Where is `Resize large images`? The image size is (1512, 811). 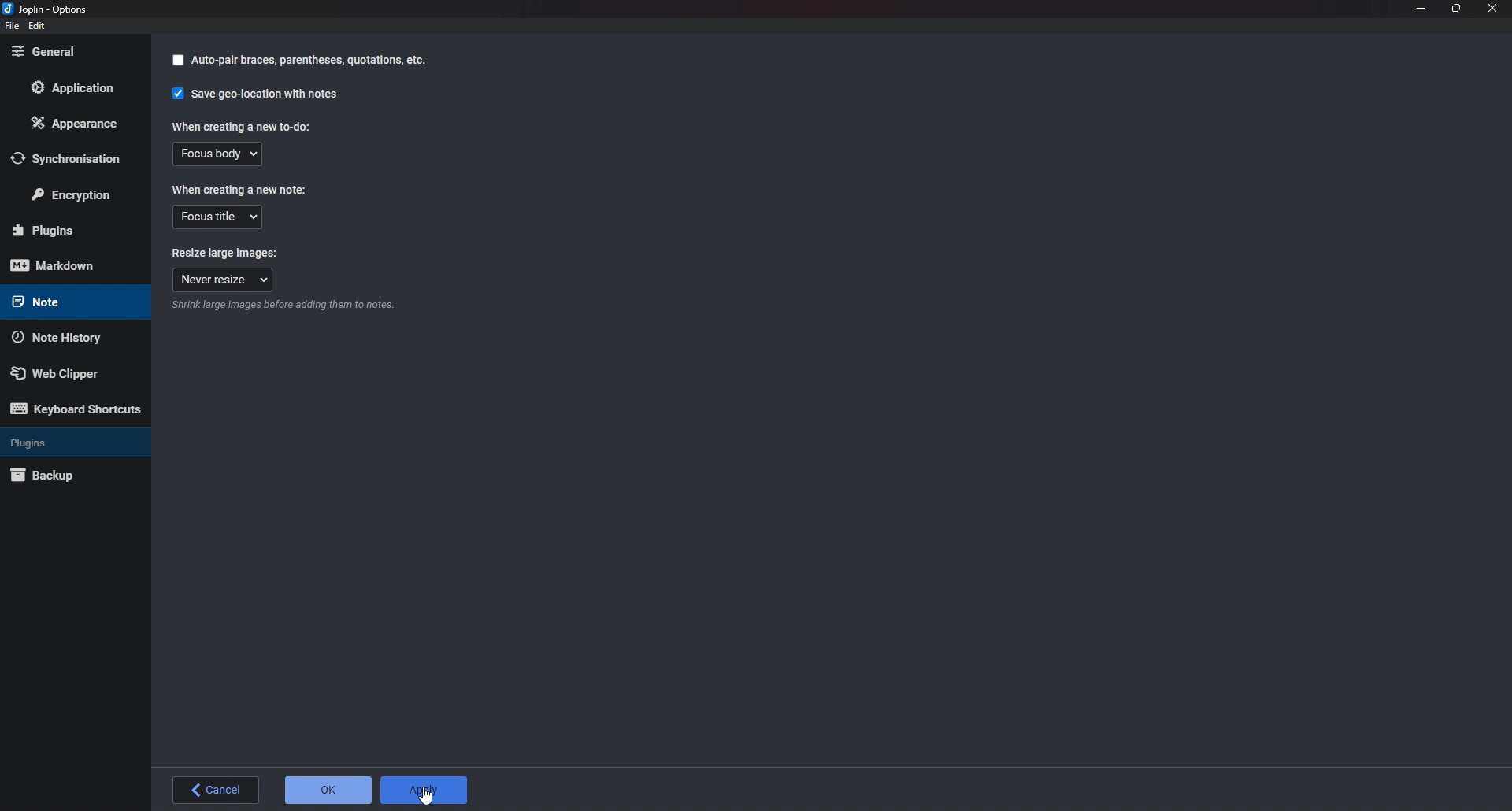 Resize large images is located at coordinates (228, 251).